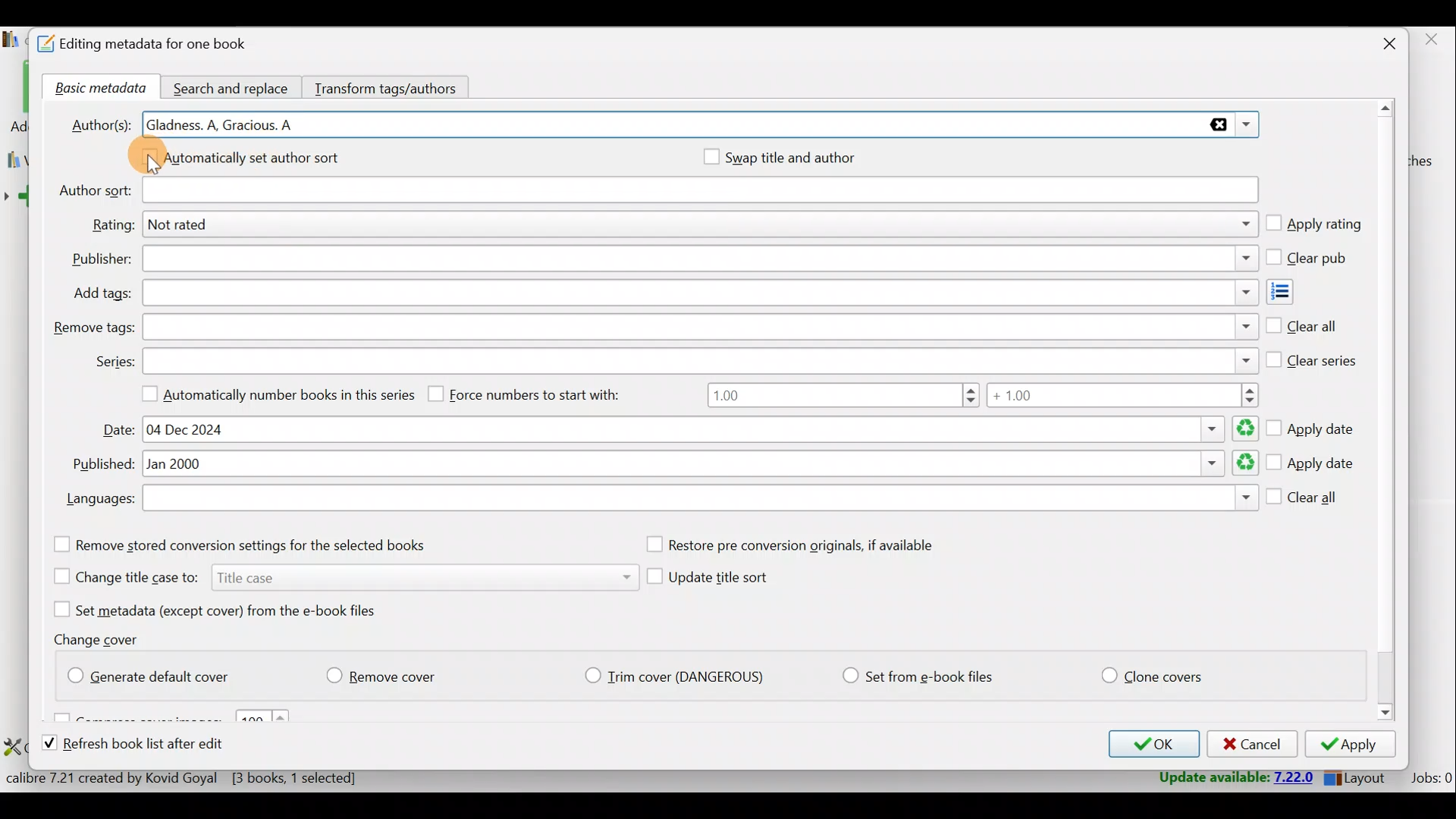 This screenshot has height=819, width=1456. I want to click on Update, so click(1234, 778).